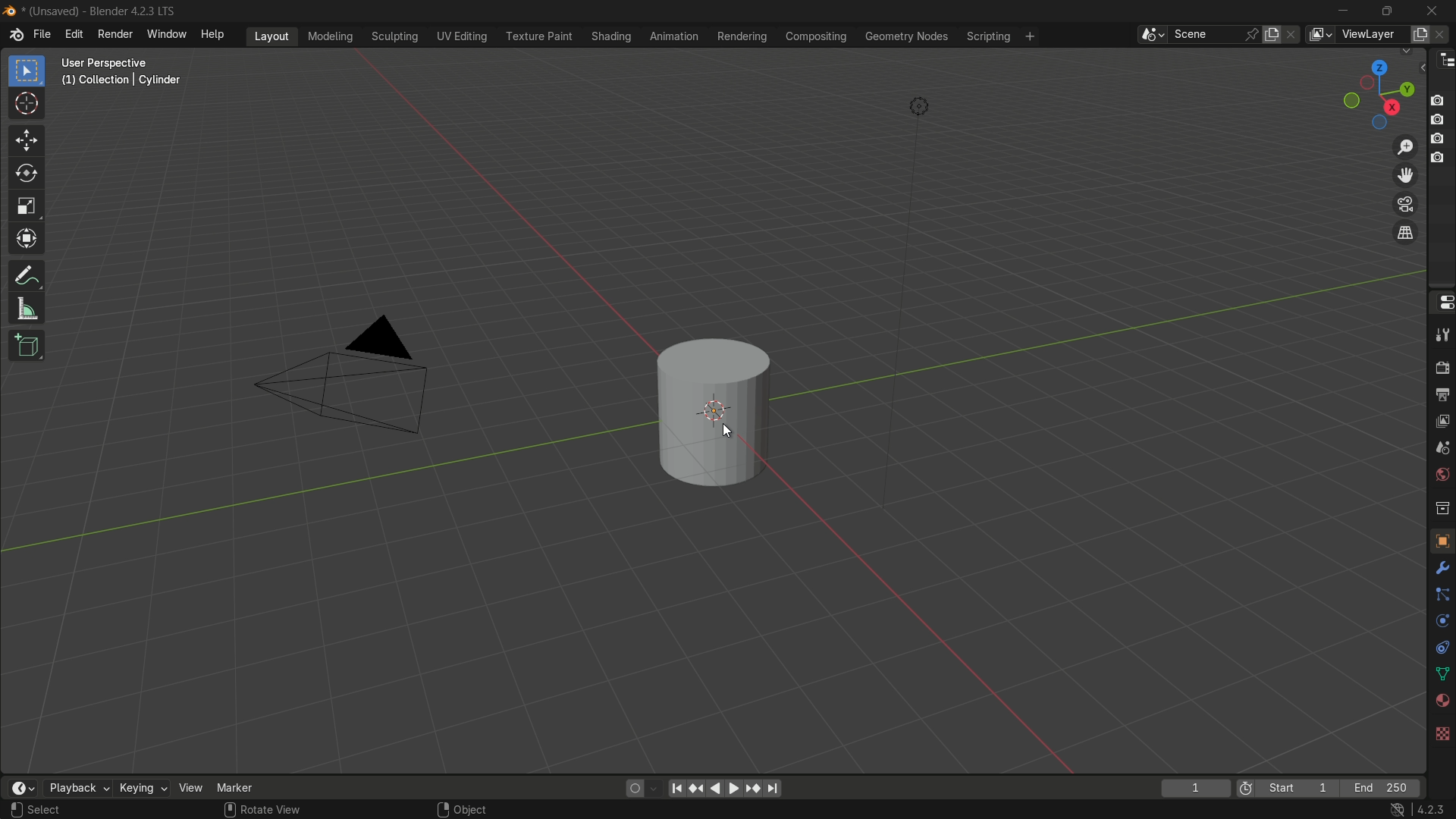  I want to click on world, so click(1442, 475).